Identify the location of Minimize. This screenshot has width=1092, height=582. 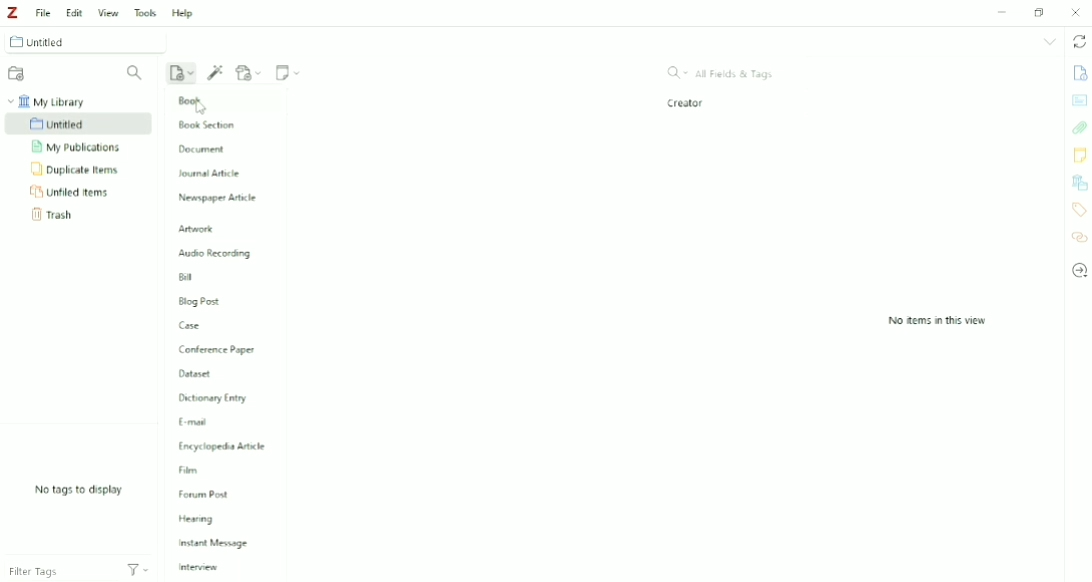
(1003, 13).